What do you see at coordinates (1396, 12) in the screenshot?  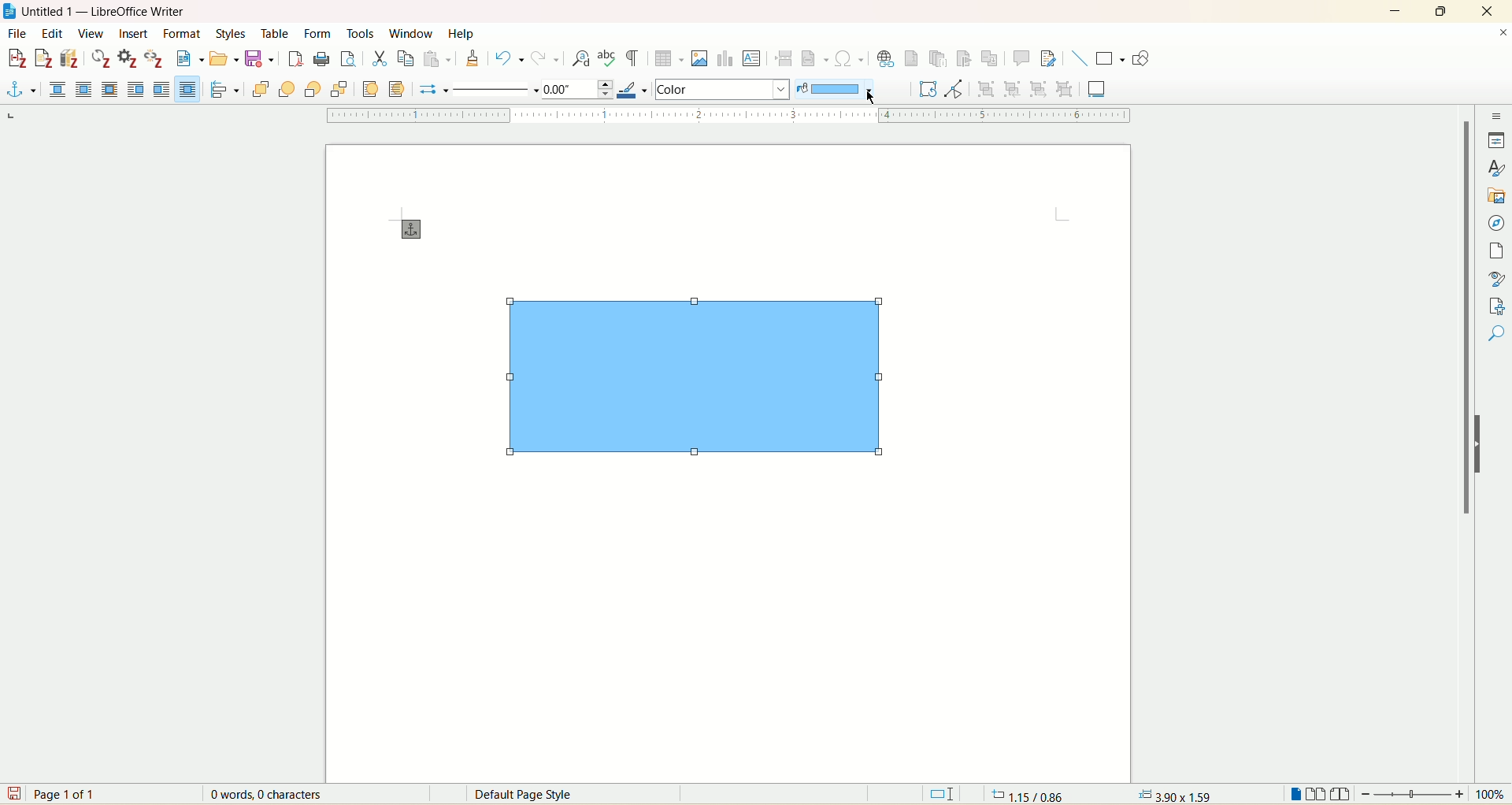 I see `minimize` at bounding box center [1396, 12].